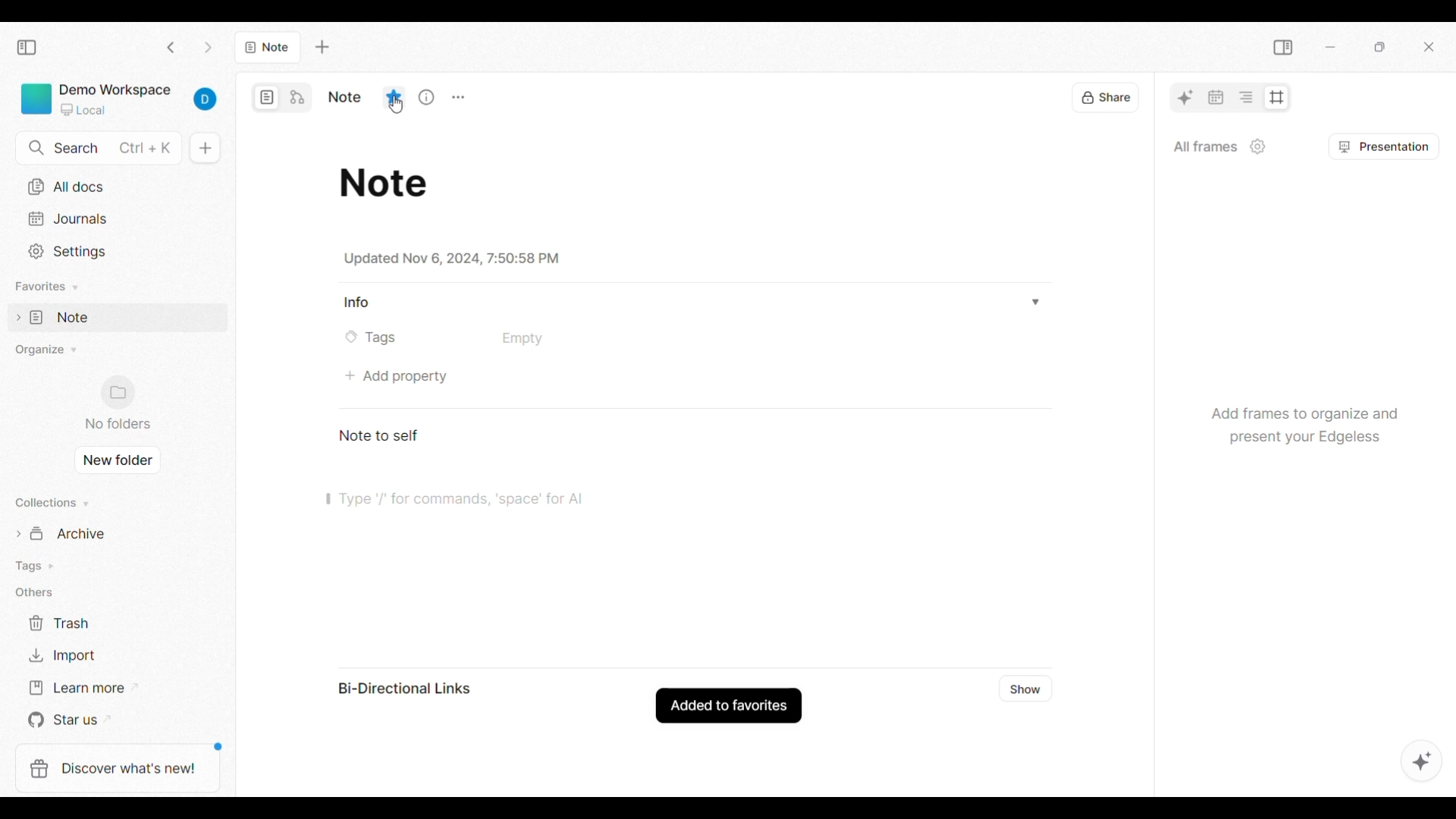 The height and width of the screenshot is (819, 1456). I want to click on Note to self, so click(381, 435).